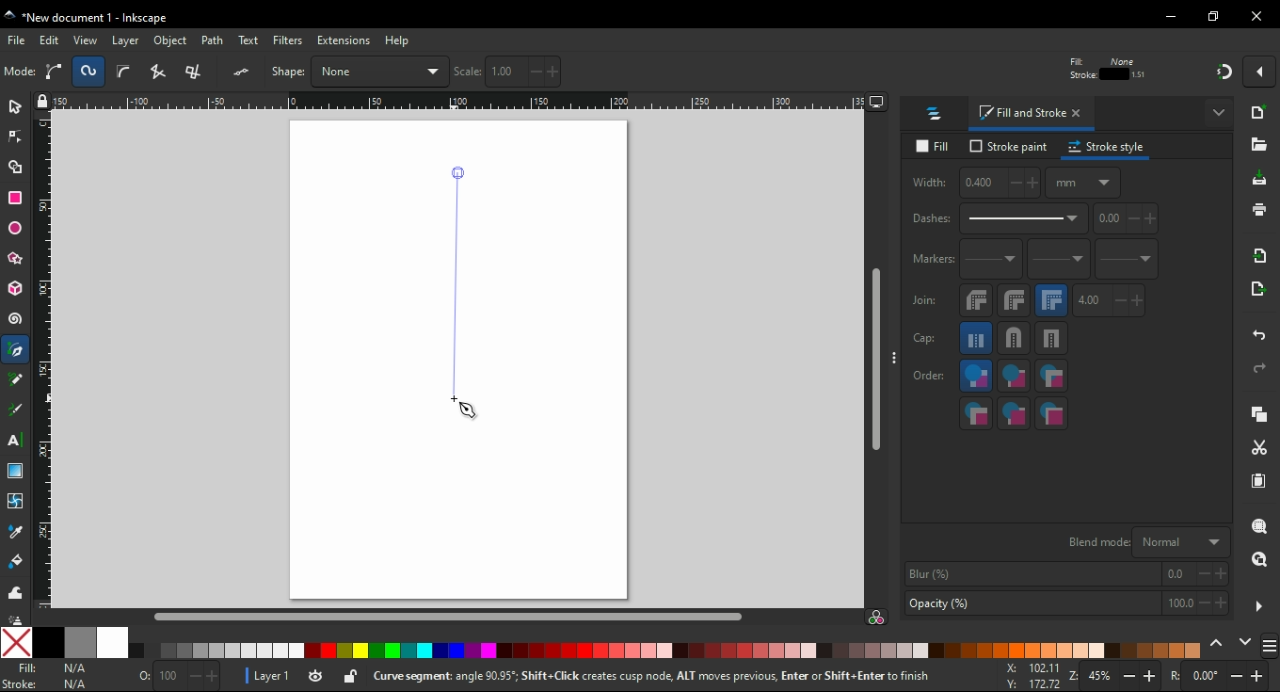  What do you see at coordinates (1127, 219) in the screenshot?
I see `pattern offset` at bounding box center [1127, 219].